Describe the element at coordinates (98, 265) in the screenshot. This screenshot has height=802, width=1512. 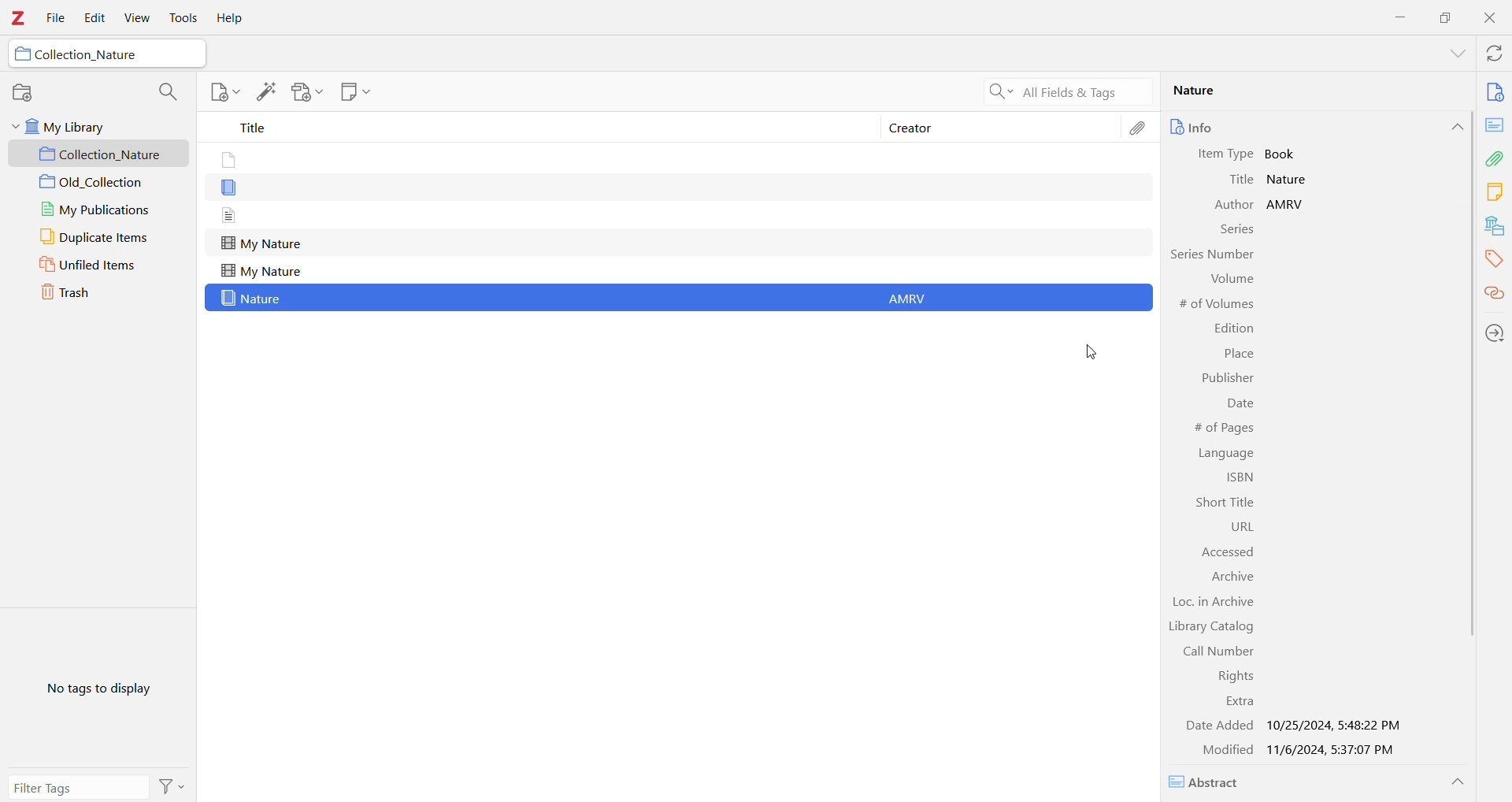
I see `Unfiled Items` at that location.